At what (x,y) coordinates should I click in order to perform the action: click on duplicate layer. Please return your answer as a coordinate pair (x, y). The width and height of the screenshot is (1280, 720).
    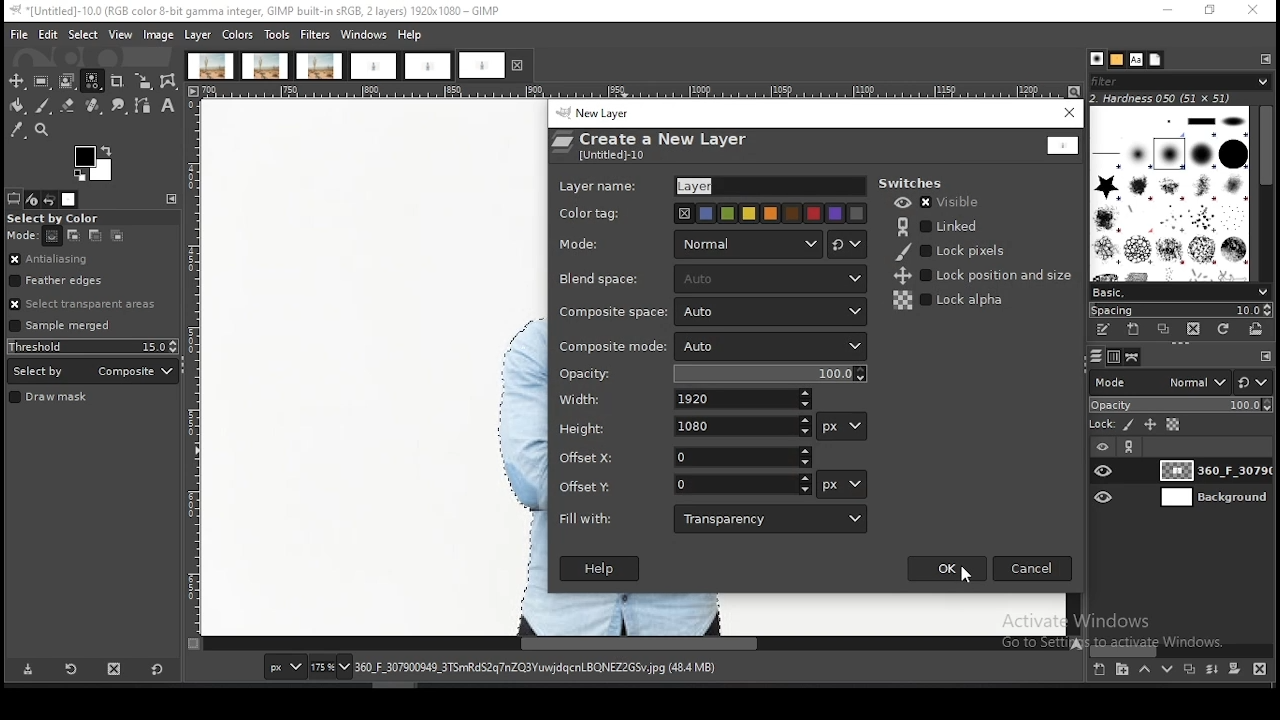
    Looking at the image, I should click on (1187, 668).